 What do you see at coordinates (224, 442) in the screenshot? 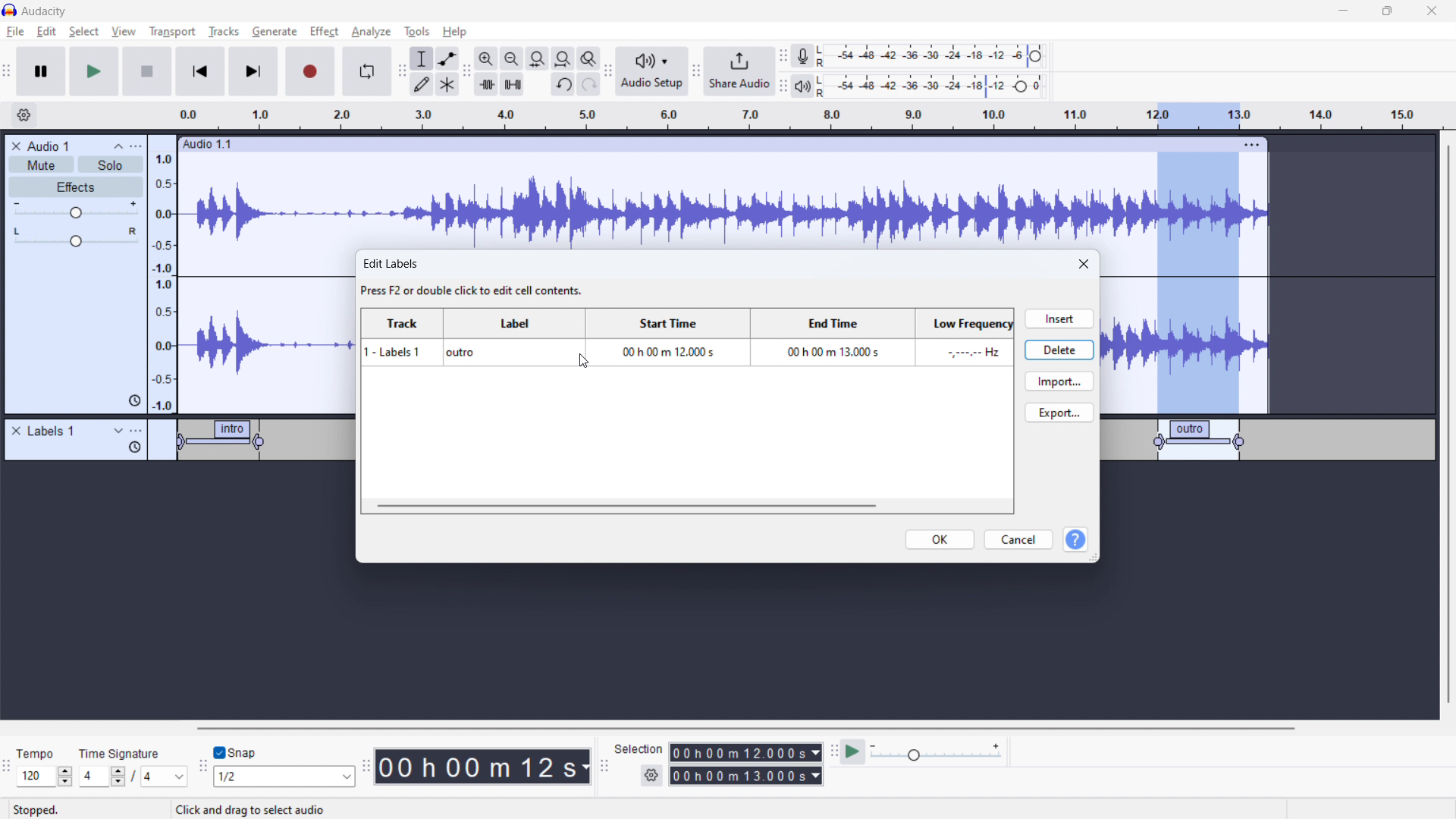
I see `label 1` at bounding box center [224, 442].